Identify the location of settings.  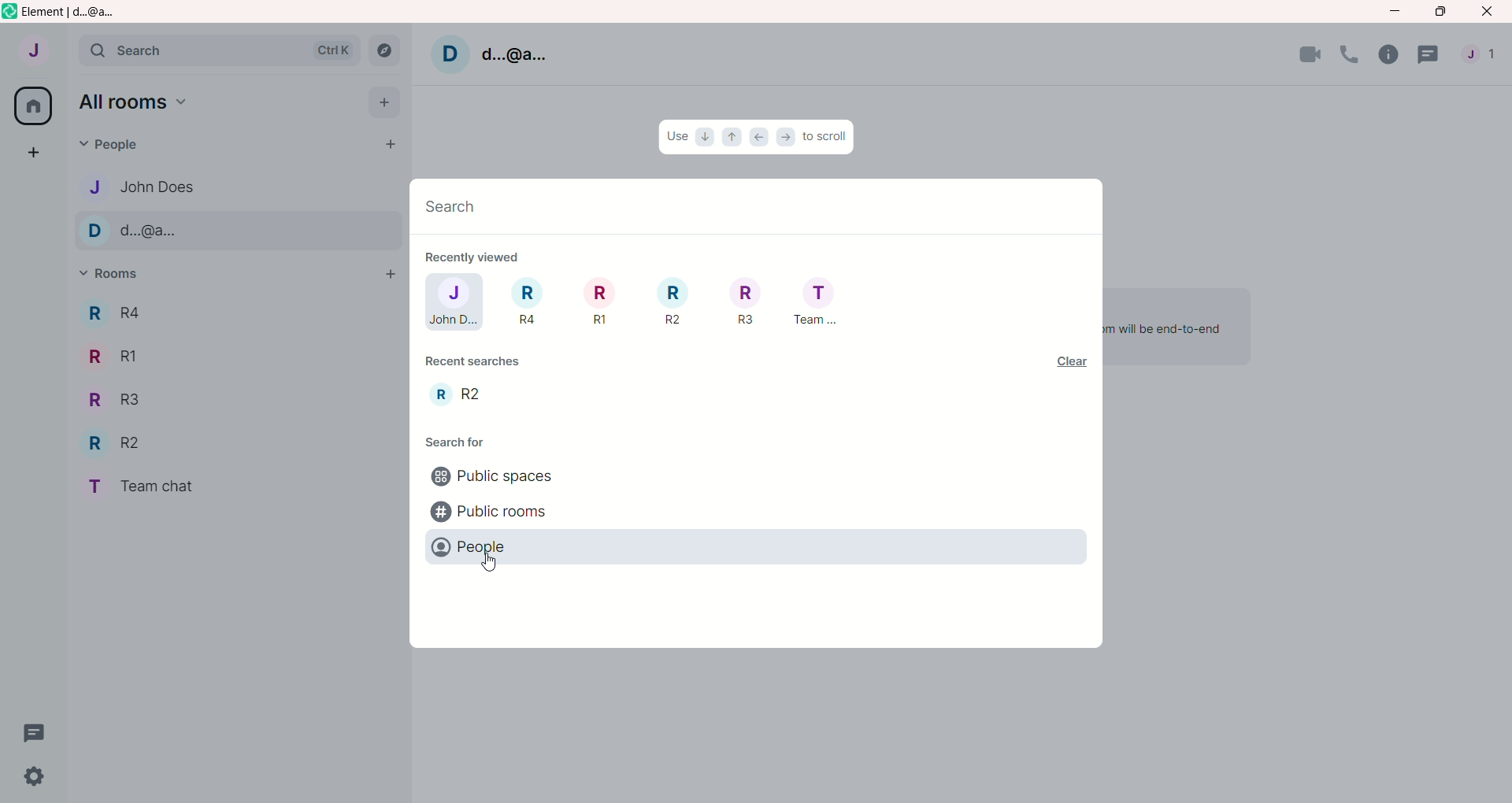
(28, 779).